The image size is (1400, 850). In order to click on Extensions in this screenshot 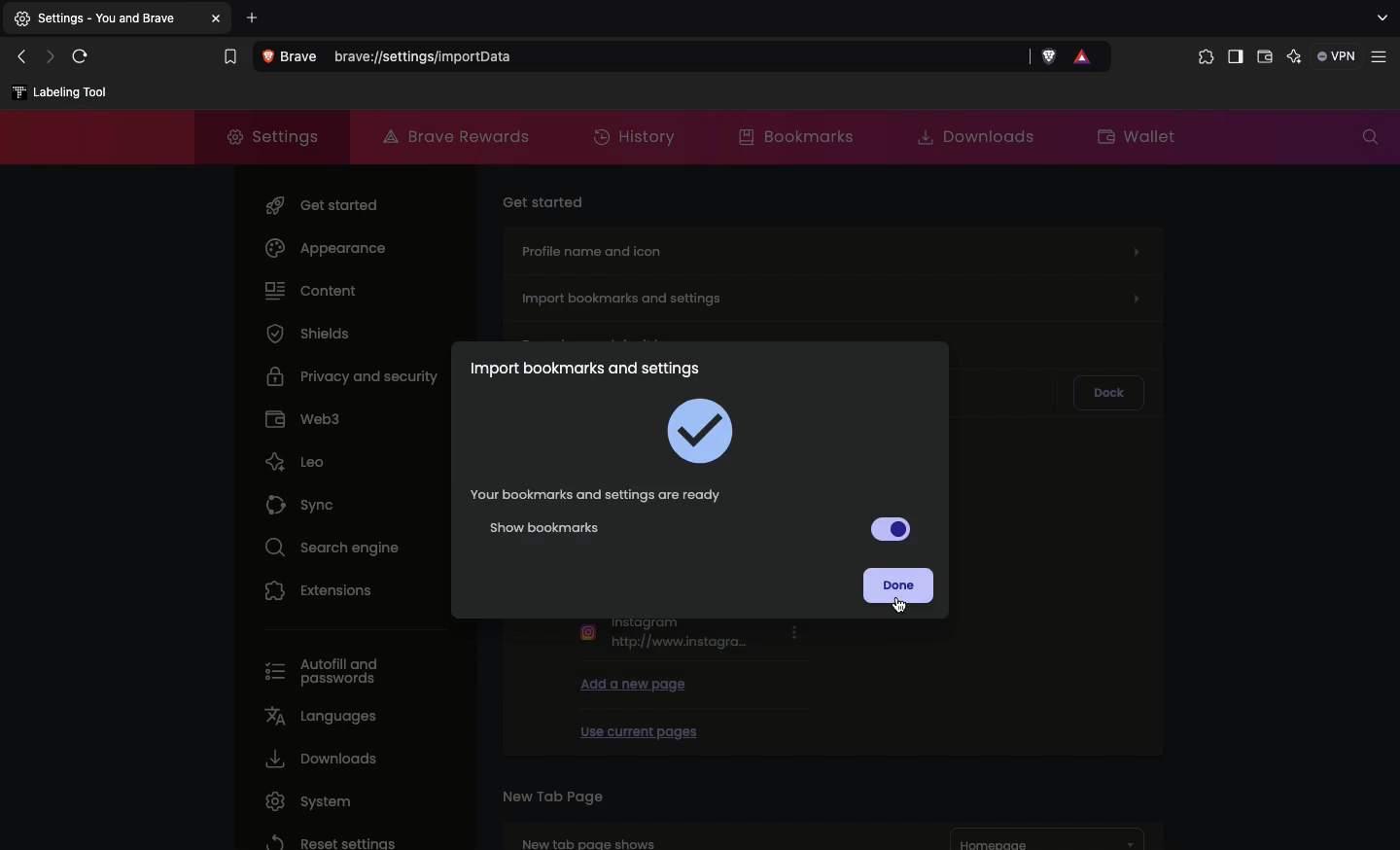, I will do `click(1202, 57)`.